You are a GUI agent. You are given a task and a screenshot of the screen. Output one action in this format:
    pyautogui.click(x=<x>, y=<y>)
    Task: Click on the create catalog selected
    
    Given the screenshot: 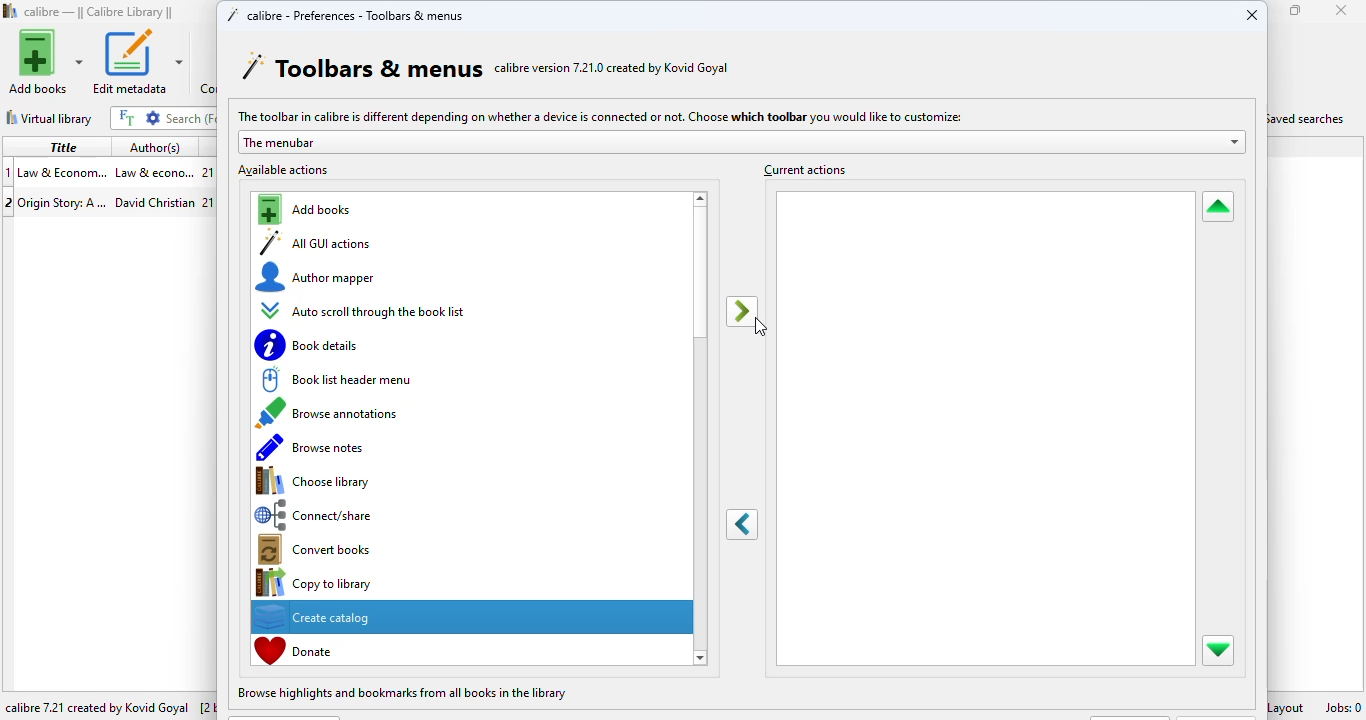 What is the action you would take?
    pyautogui.click(x=470, y=616)
    